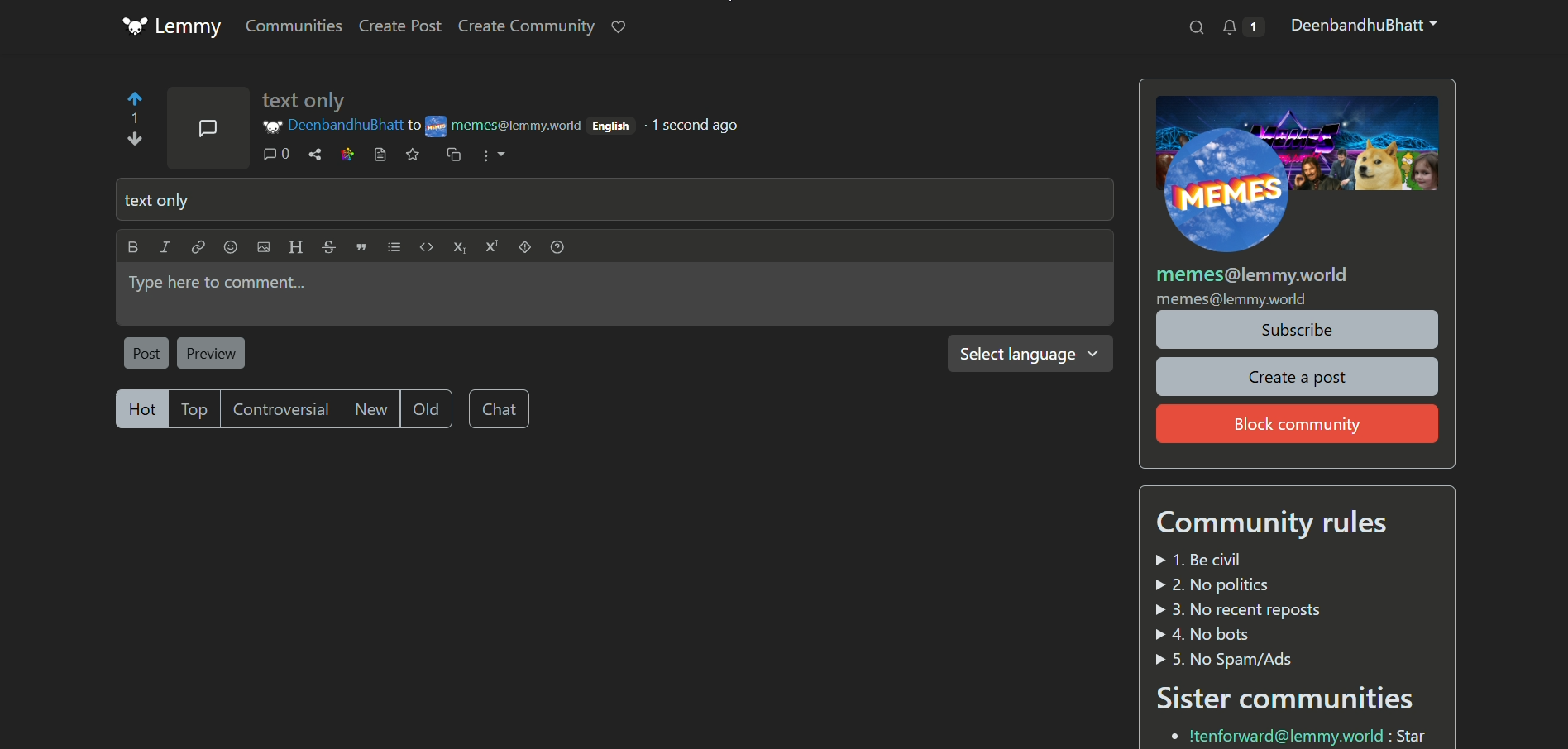 The height and width of the screenshot is (749, 1568). I want to click on text, so click(694, 125).